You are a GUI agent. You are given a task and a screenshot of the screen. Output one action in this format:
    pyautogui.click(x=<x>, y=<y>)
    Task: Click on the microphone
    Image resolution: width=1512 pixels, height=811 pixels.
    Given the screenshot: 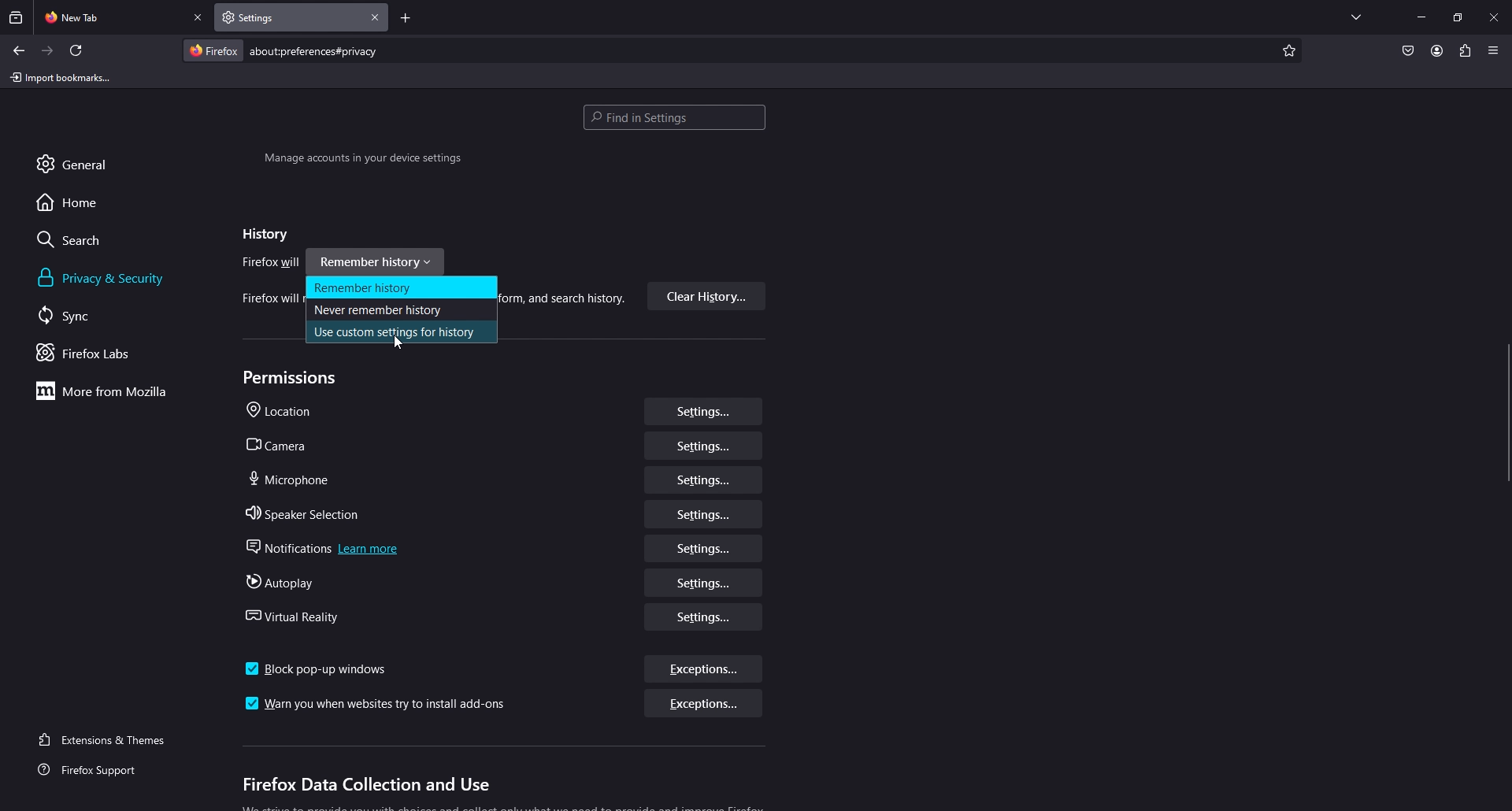 What is the action you would take?
    pyautogui.click(x=291, y=479)
    